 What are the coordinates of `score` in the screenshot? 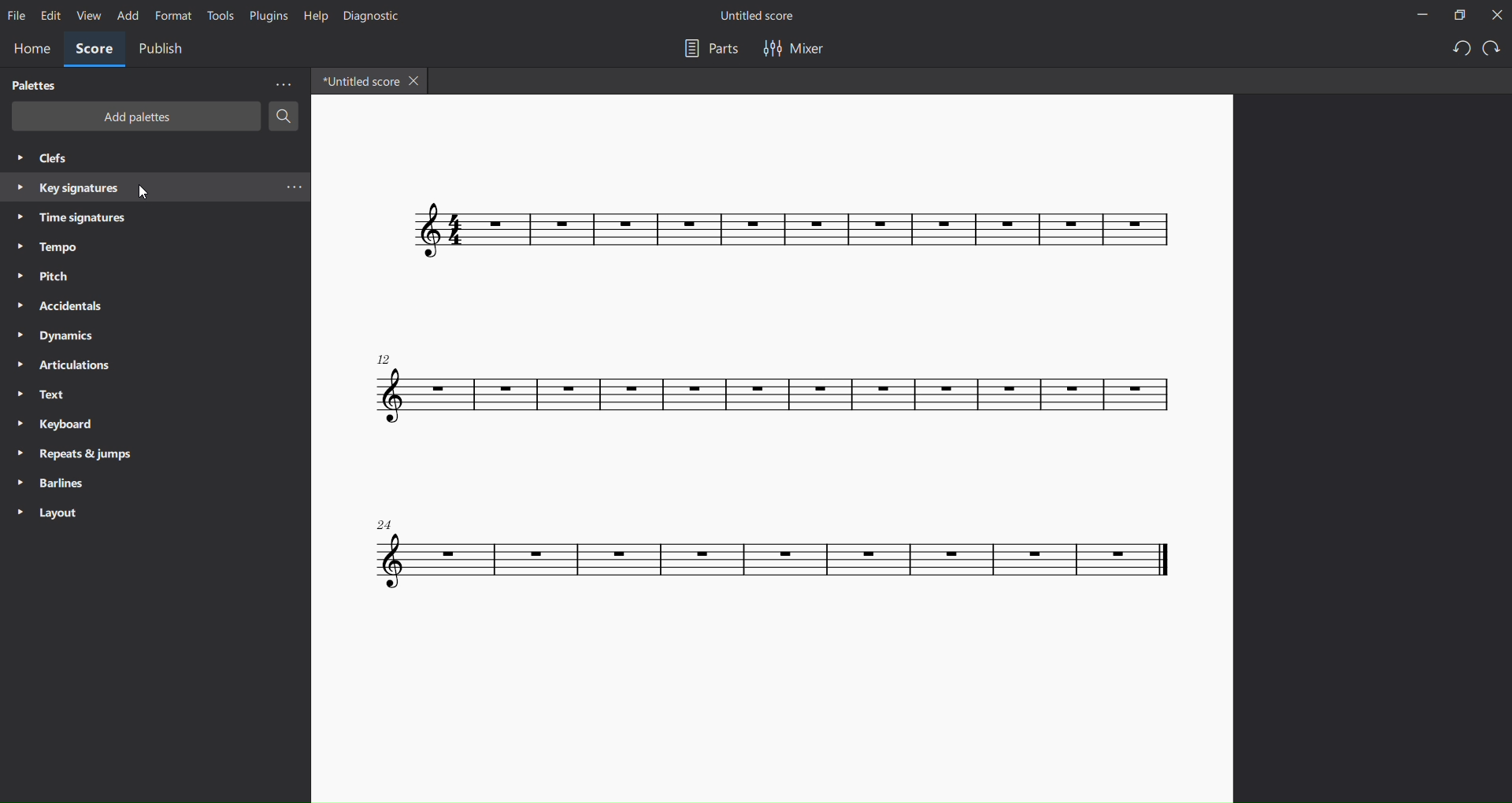 It's located at (93, 48).